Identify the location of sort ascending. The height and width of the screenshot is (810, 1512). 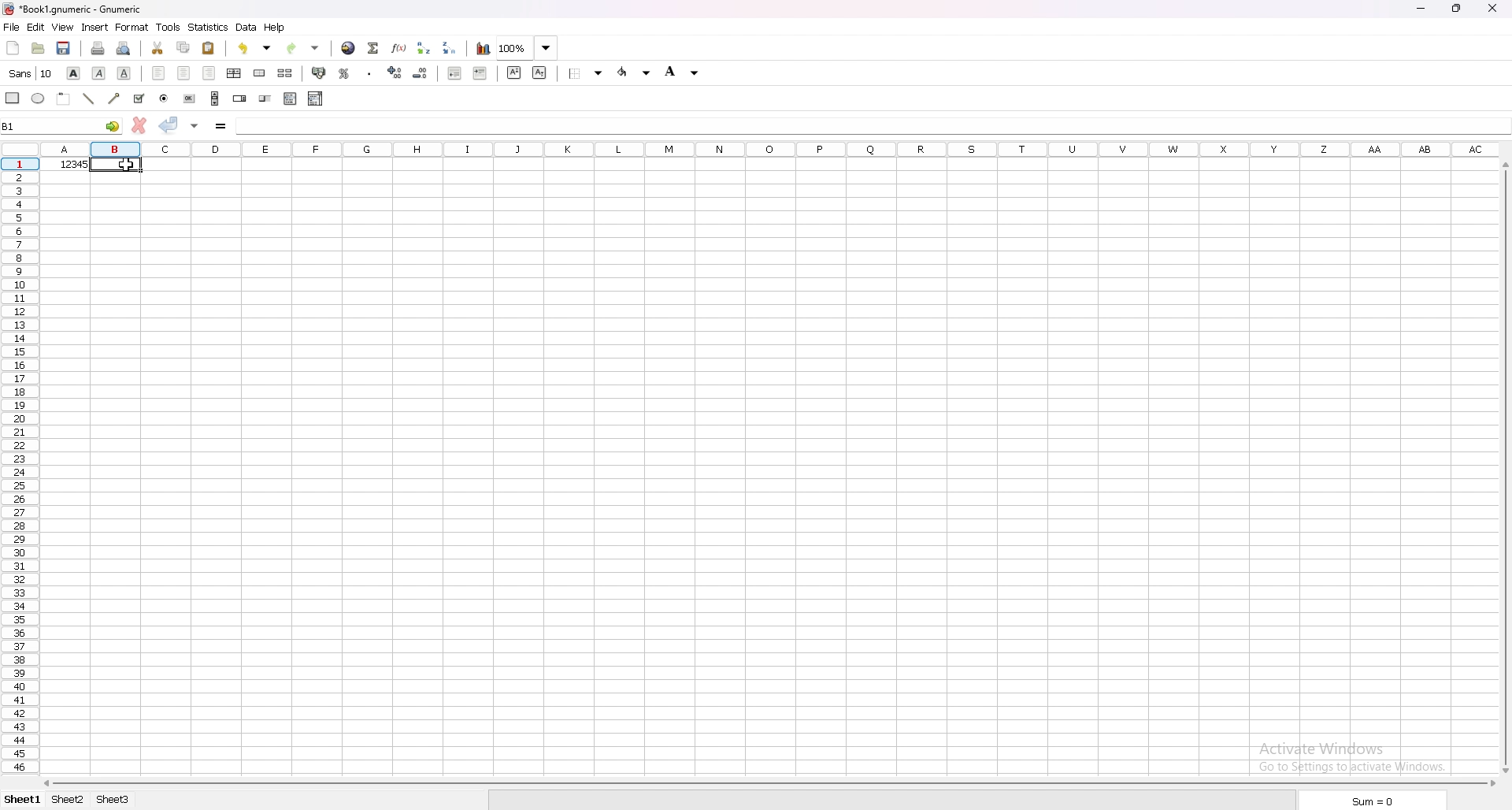
(424, 48).